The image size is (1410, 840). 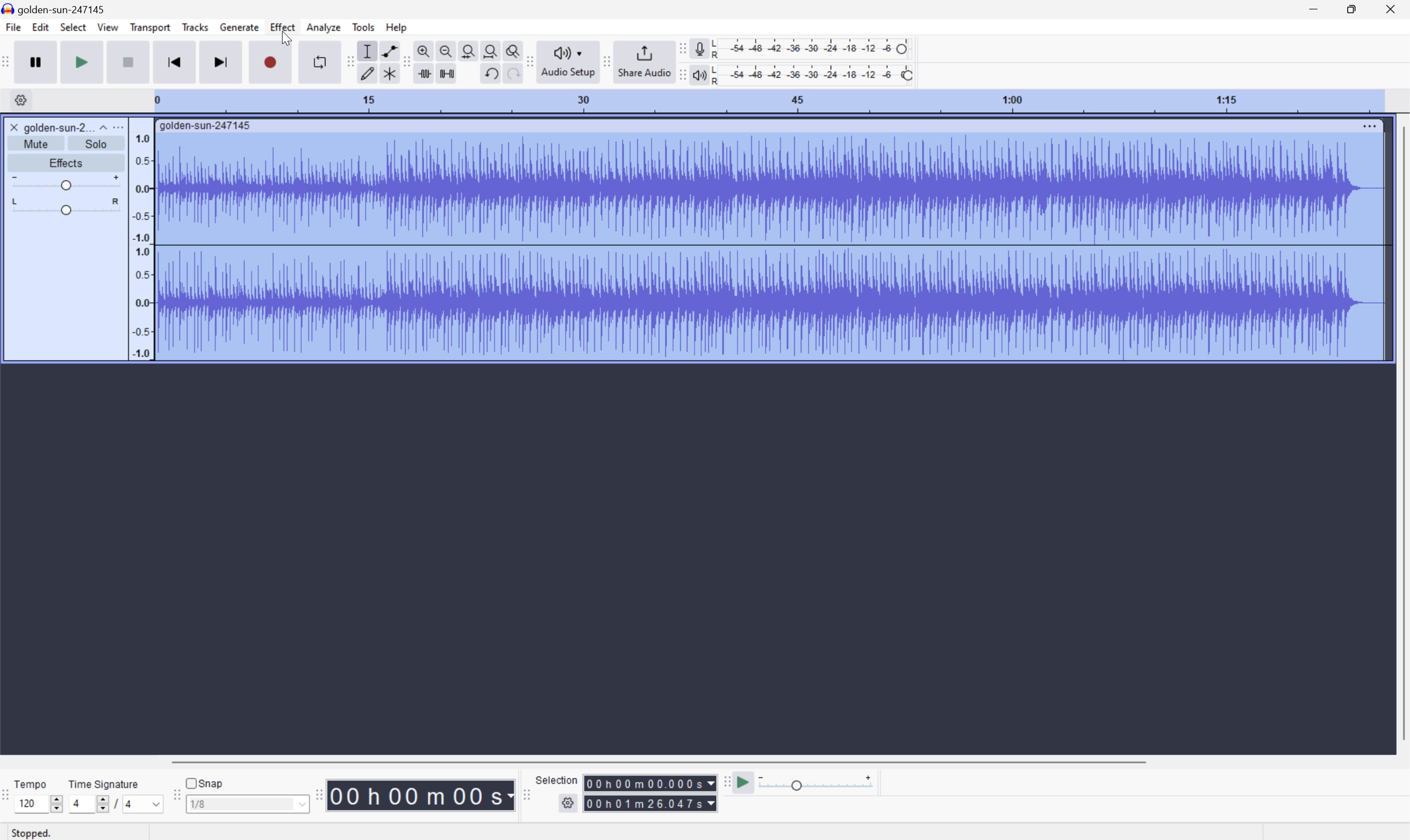 I want to click on Slider, so click(x=62, y=207).